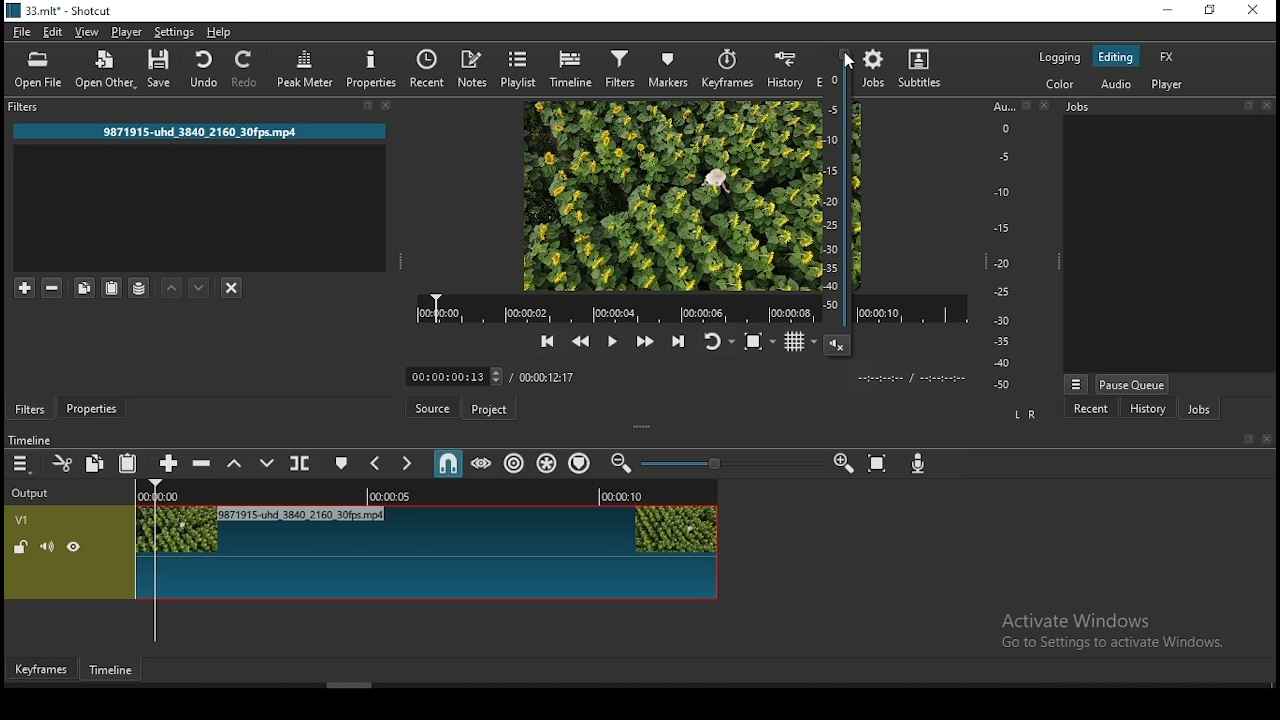 Image resolution: width=1280 pixels, height=720 pixels. Describe the element at coordinates (141, 290) in the screenshot. I see `save filter sets` at that location.